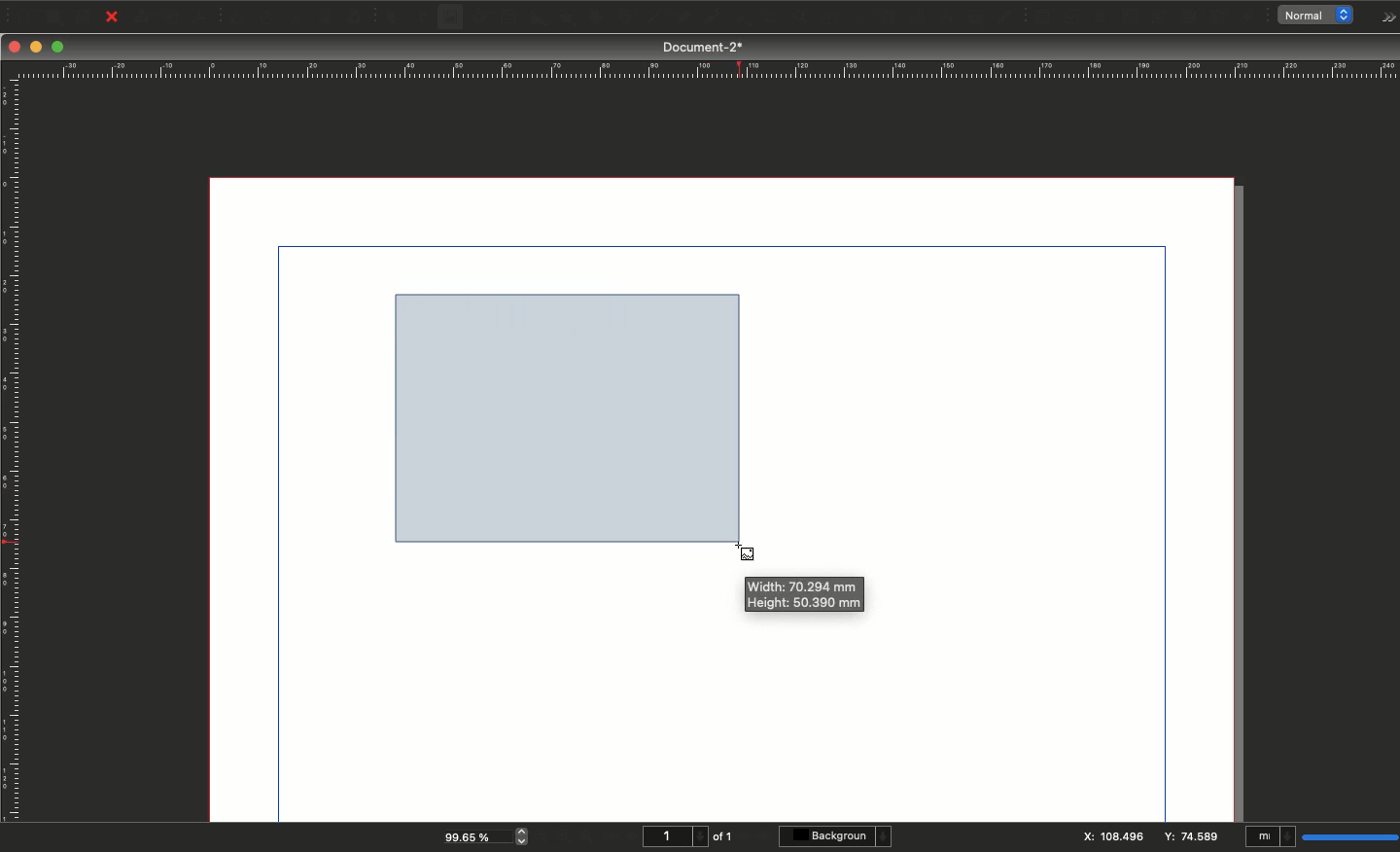  I want to click on Text annotation, so click(1220, 18).